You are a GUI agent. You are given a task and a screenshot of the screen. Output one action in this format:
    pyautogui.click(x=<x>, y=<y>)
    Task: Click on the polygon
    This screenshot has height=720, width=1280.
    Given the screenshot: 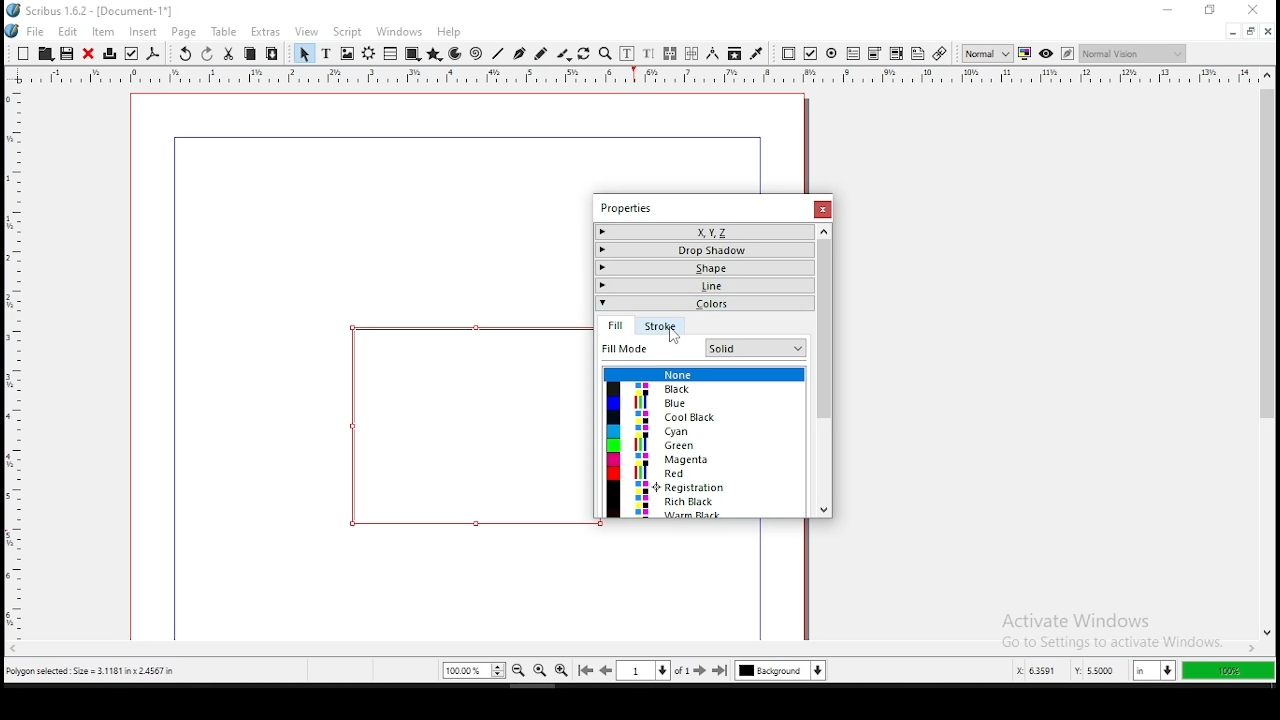 What is the action you would take?
    pyautogui.click(x=435, y=54)
    